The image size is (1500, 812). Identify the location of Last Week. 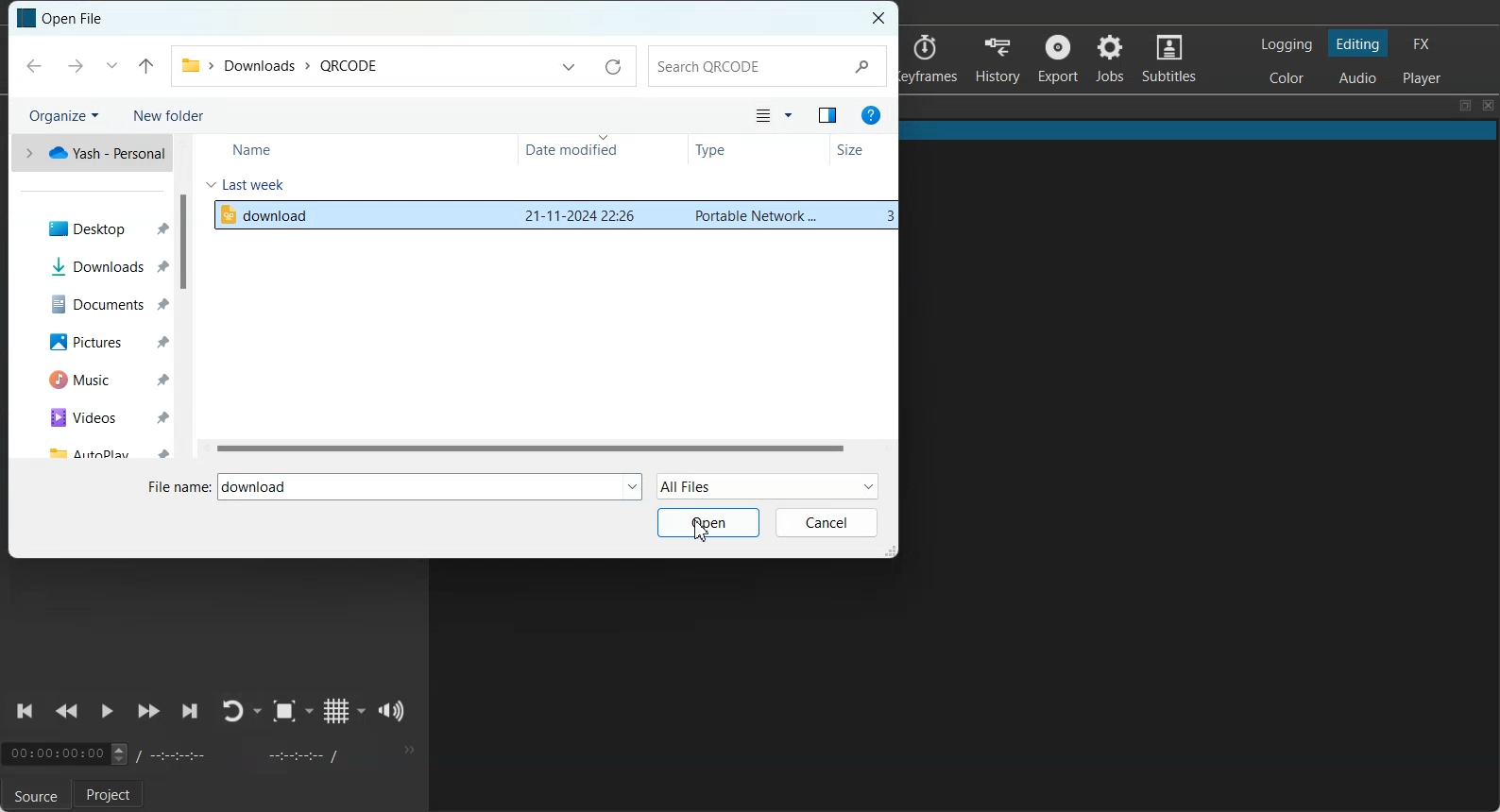
(261, 184).